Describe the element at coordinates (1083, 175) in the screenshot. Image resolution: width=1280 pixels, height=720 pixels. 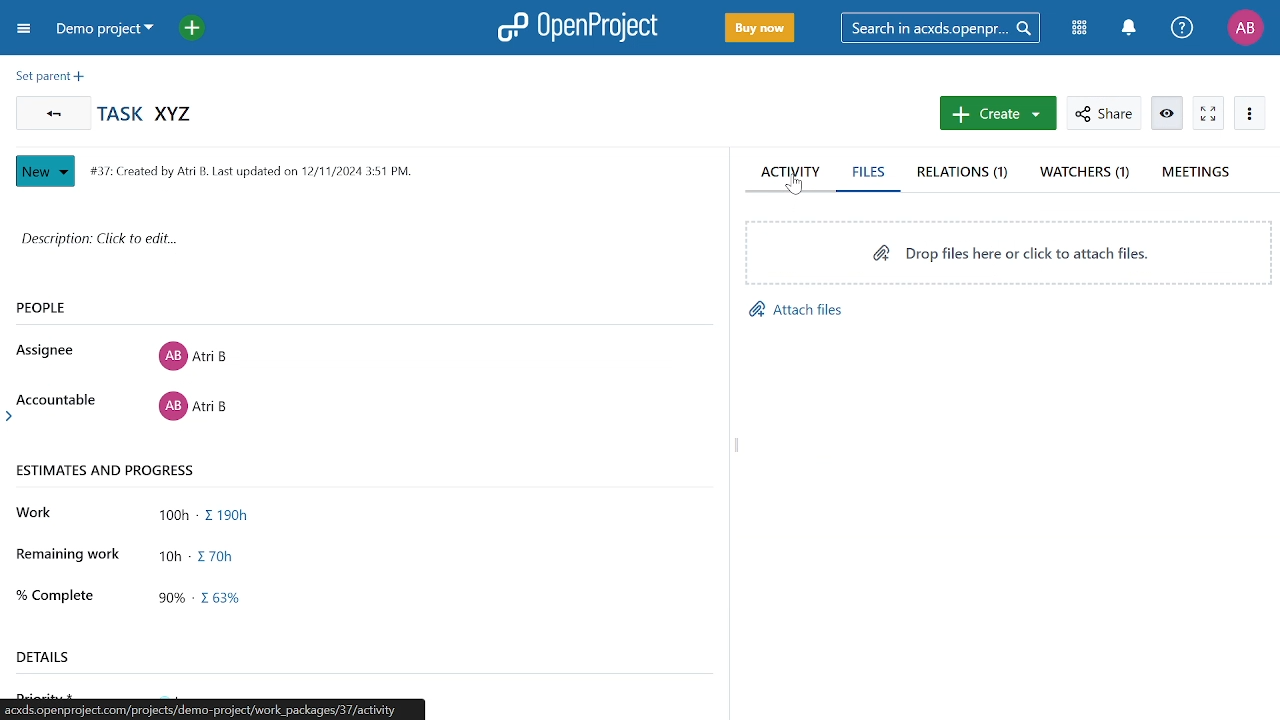
I see `Watchers` at that location.